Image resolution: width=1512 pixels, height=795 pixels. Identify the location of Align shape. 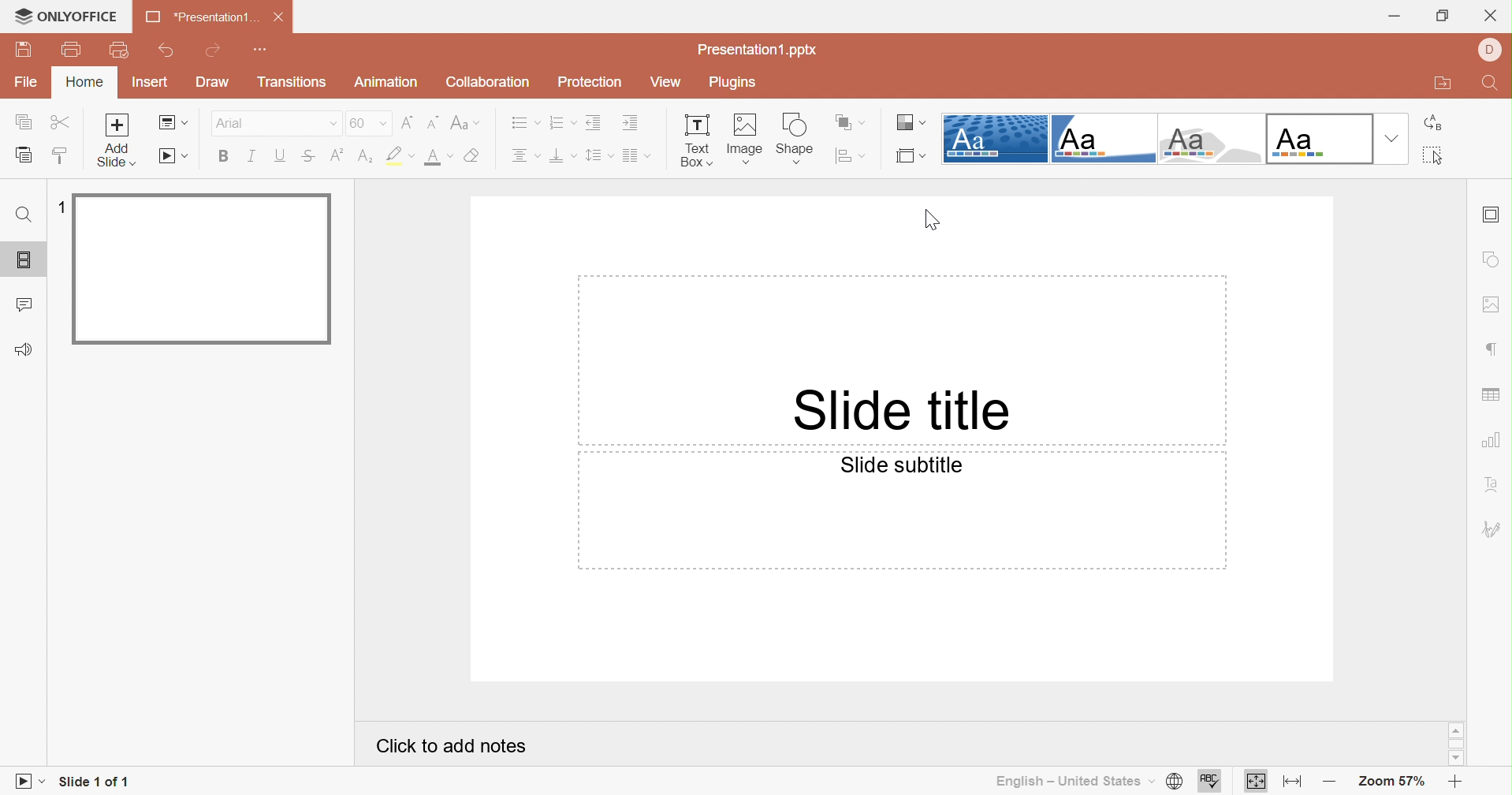
(852, 156).